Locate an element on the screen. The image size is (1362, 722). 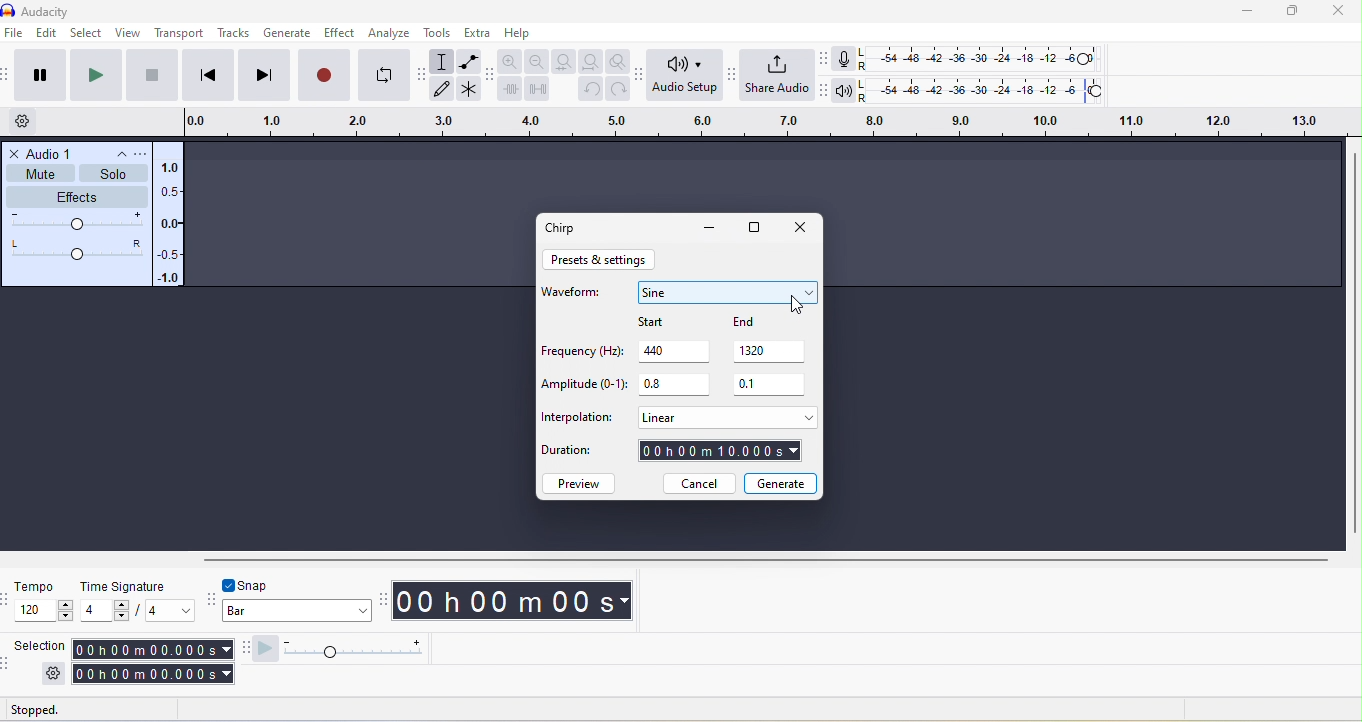
envelope tool  is located at coordinates (470, 60).